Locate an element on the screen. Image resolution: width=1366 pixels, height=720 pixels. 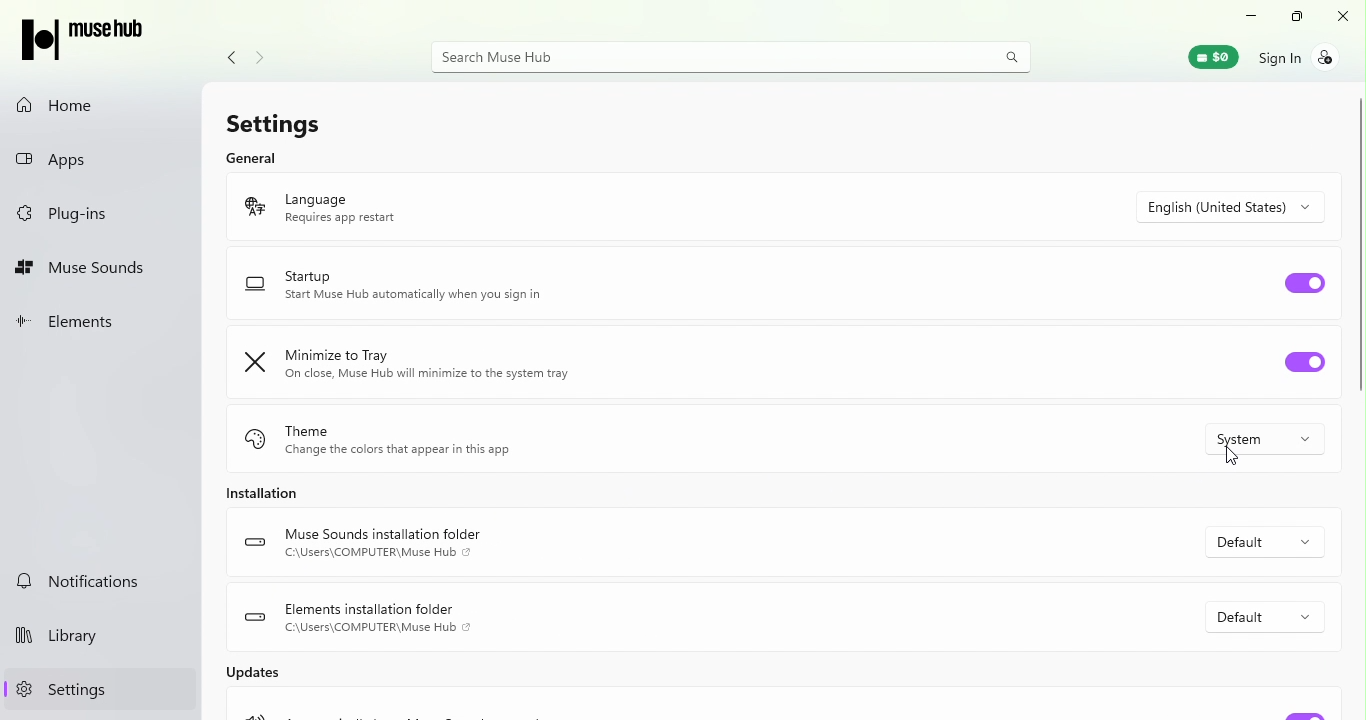
Muse sounds installation folder is located at coordinates (381, 546).